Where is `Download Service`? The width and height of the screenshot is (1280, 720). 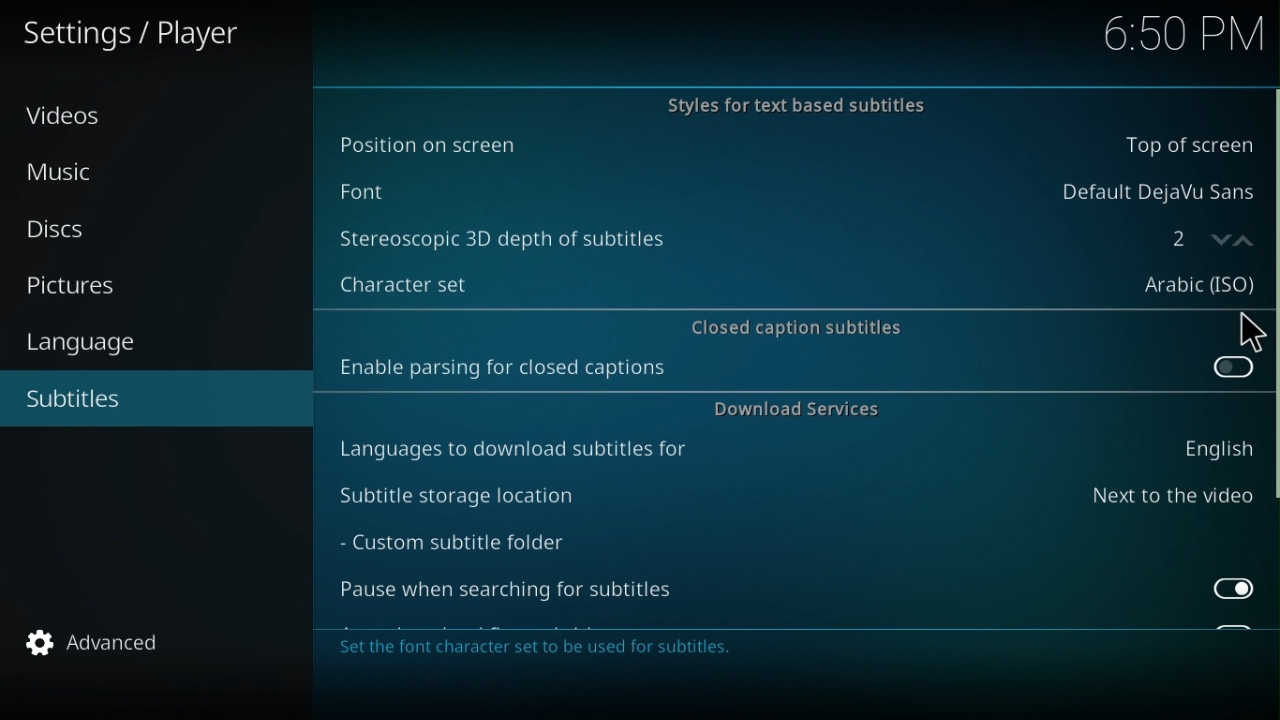
Download Service is located at coordinates (793, 410).